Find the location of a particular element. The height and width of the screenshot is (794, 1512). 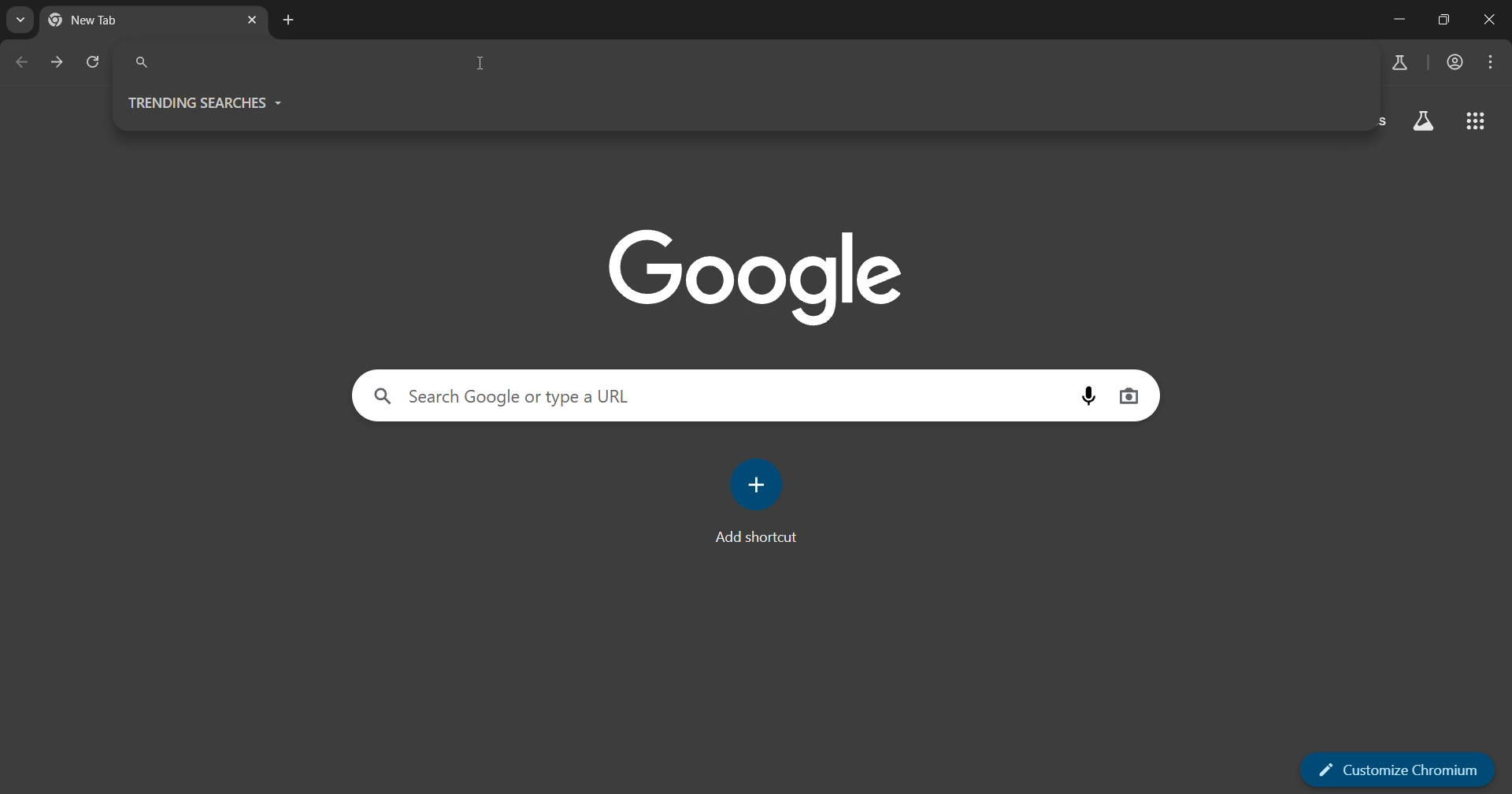

search labs is located at coordinates (1397, 61).